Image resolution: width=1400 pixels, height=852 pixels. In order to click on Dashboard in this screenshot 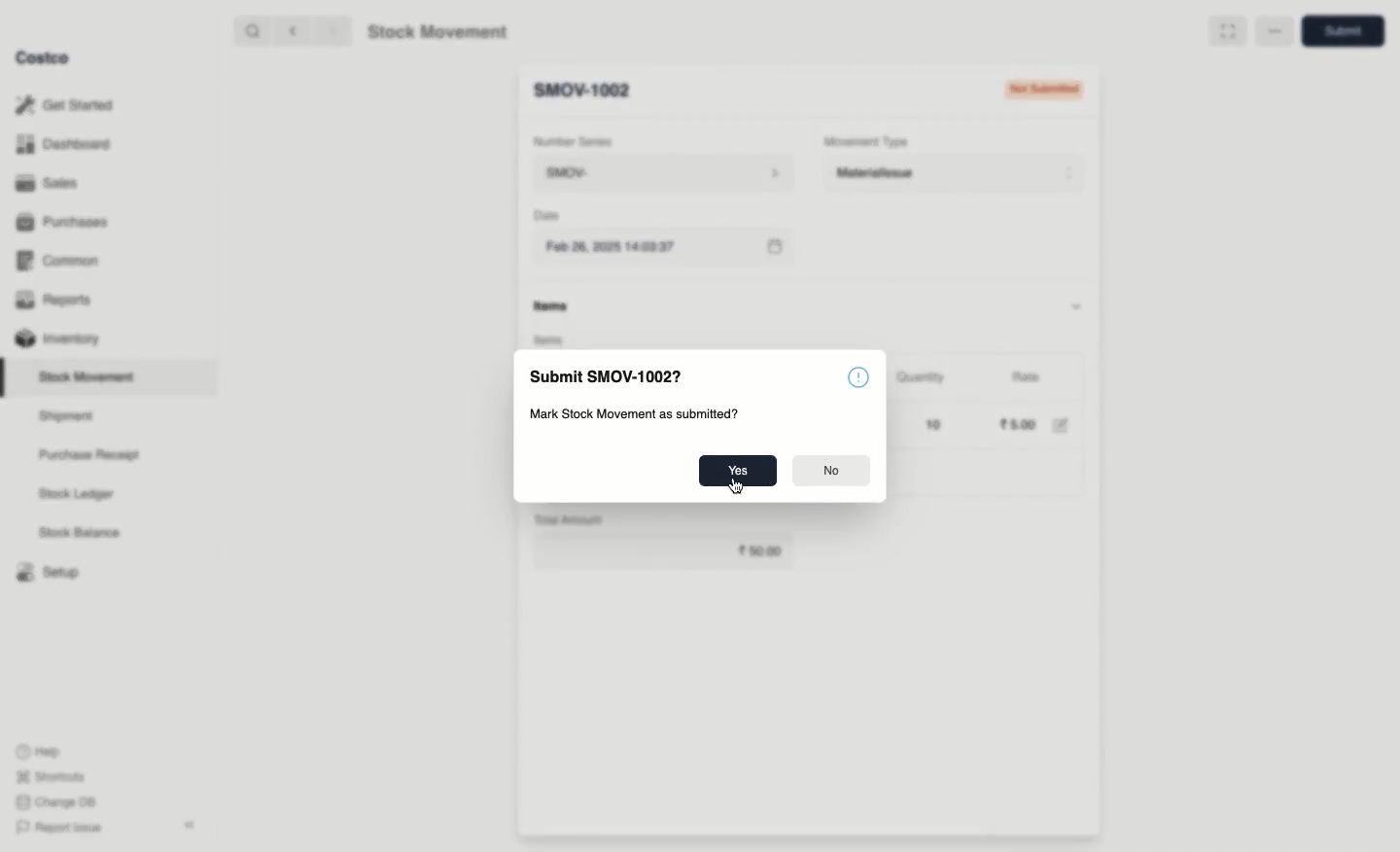, I will do `click(65, 146)`.